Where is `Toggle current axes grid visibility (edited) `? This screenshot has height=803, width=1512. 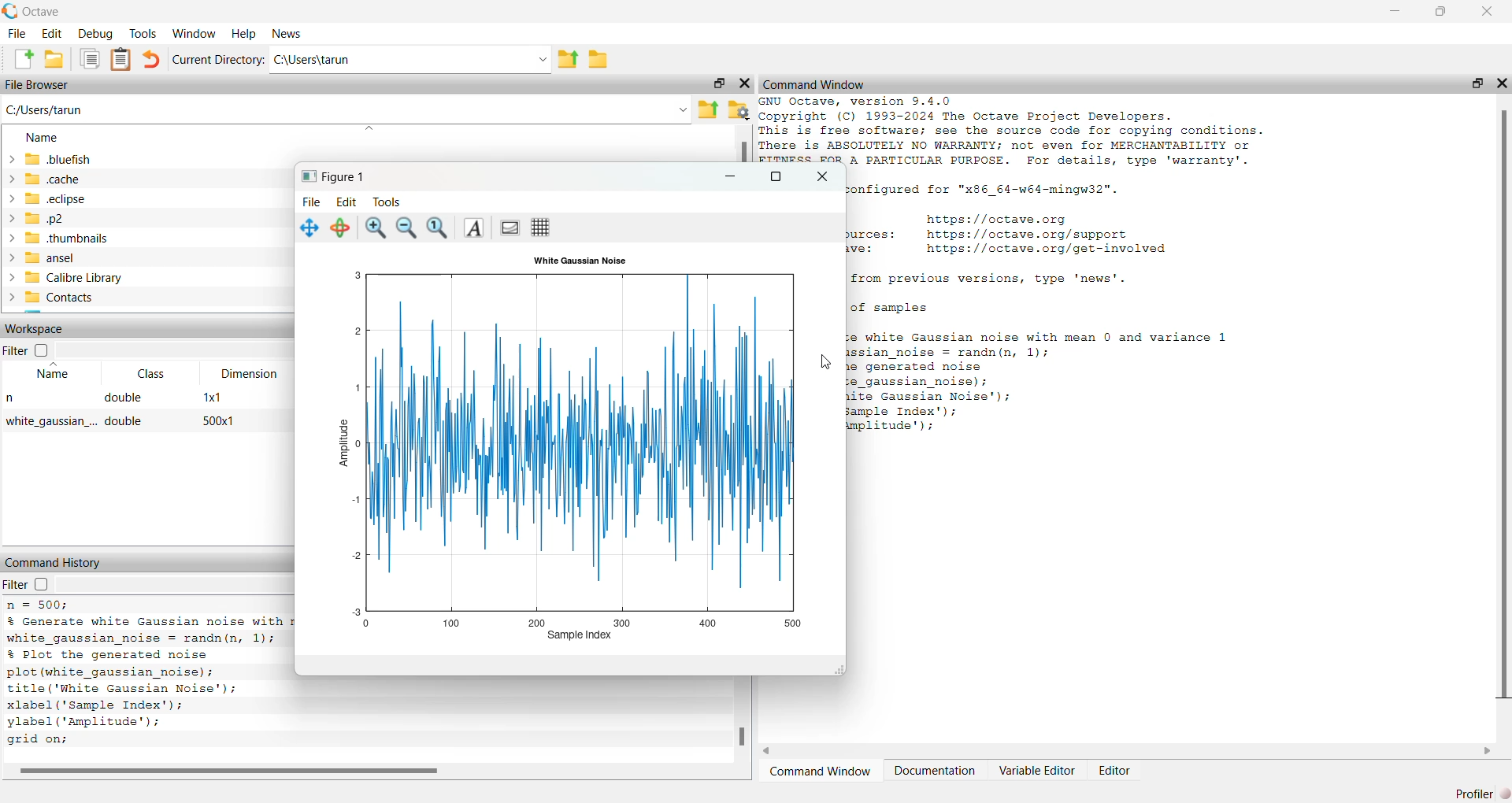
Toggle current axes grid visibility (edited)  is located at coordinates (544, 229).